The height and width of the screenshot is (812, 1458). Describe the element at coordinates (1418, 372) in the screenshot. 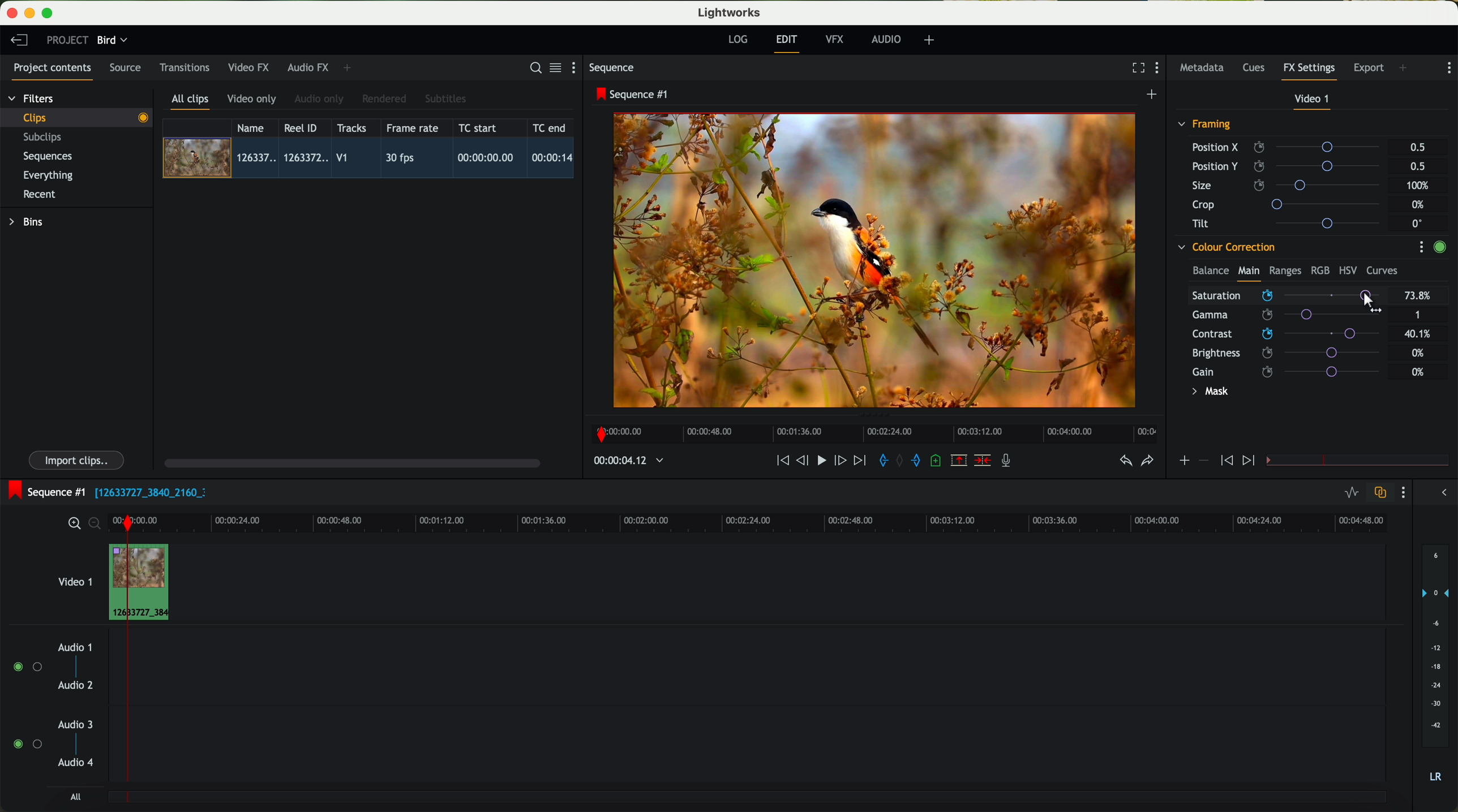

I see `0%` at that location.